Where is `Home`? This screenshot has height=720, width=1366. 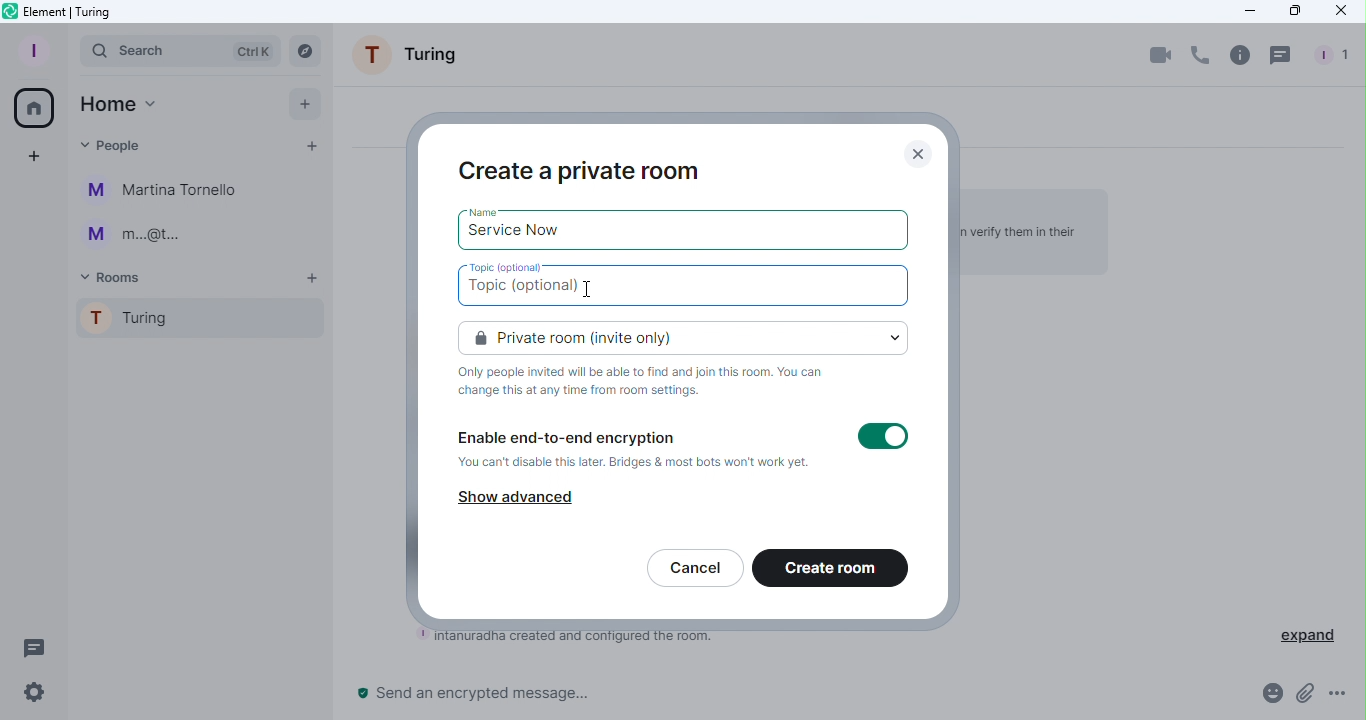
Home is located at coordinates (31, 105).